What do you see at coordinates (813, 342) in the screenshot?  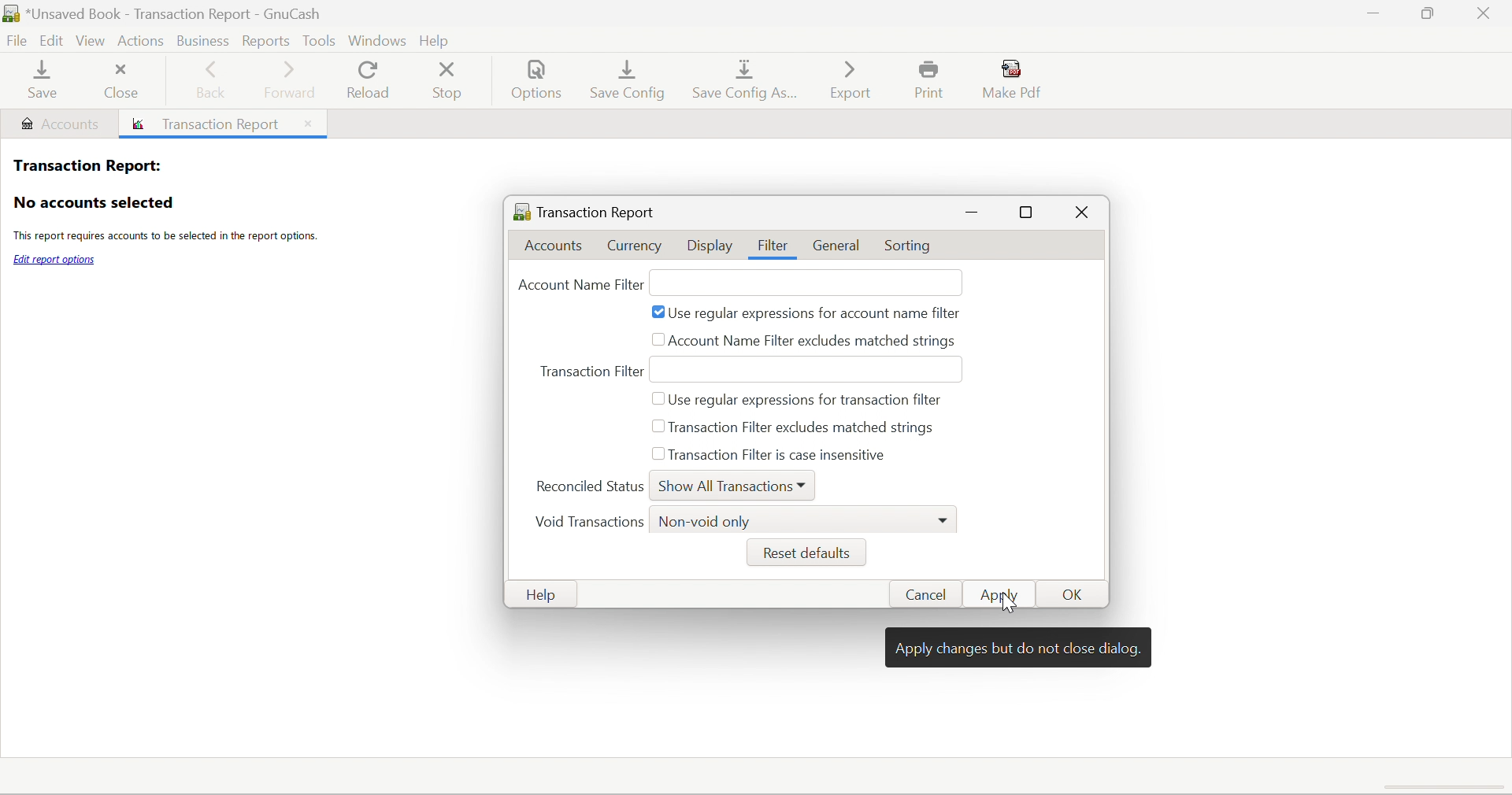 I see `Account Name Filter excludes matched strings` at bounding box center [813, 342].